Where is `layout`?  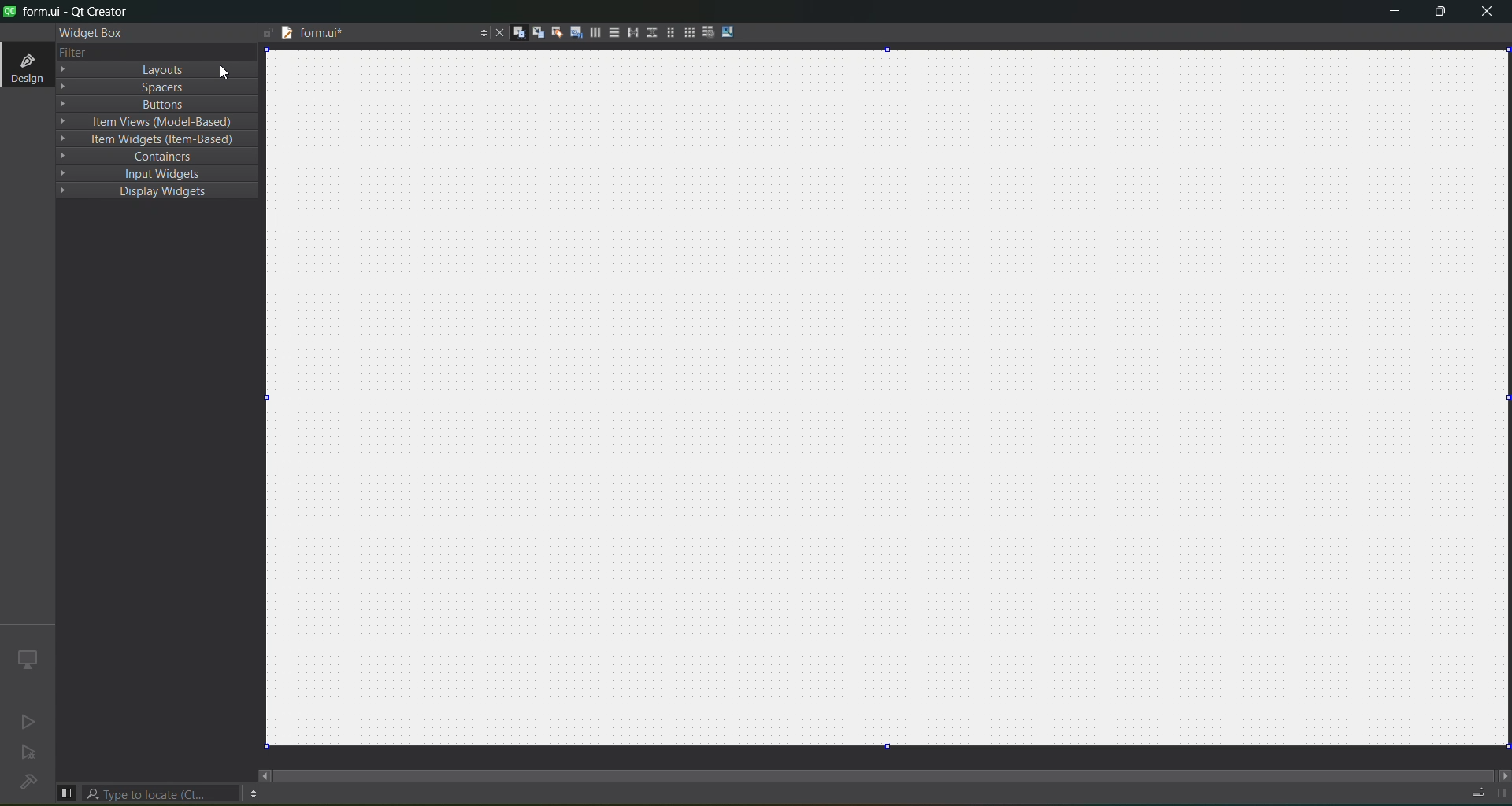
layout is located at coordinates (160, 68).